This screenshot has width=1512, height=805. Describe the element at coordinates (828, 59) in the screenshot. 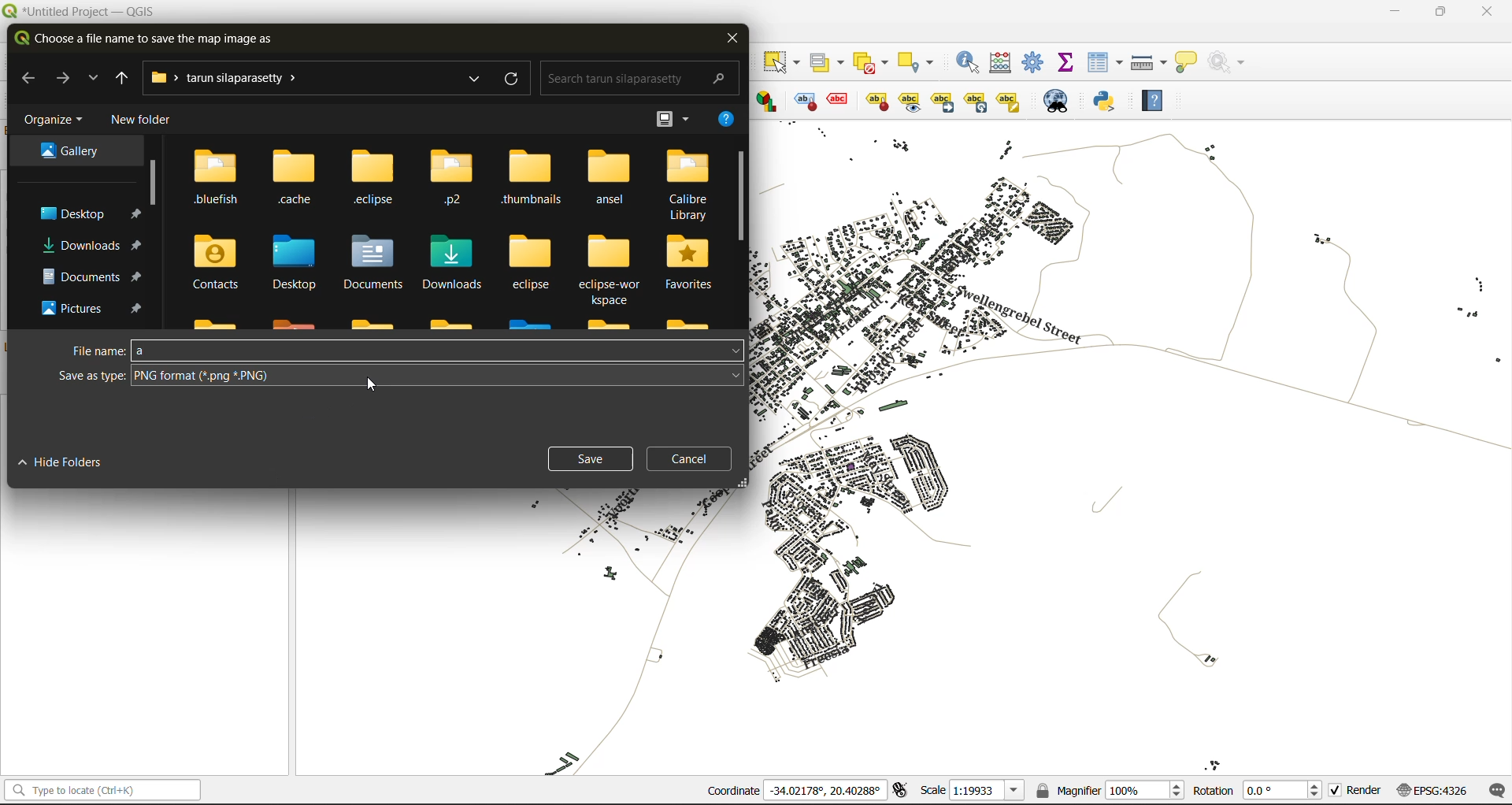

I see `select value` at that location.